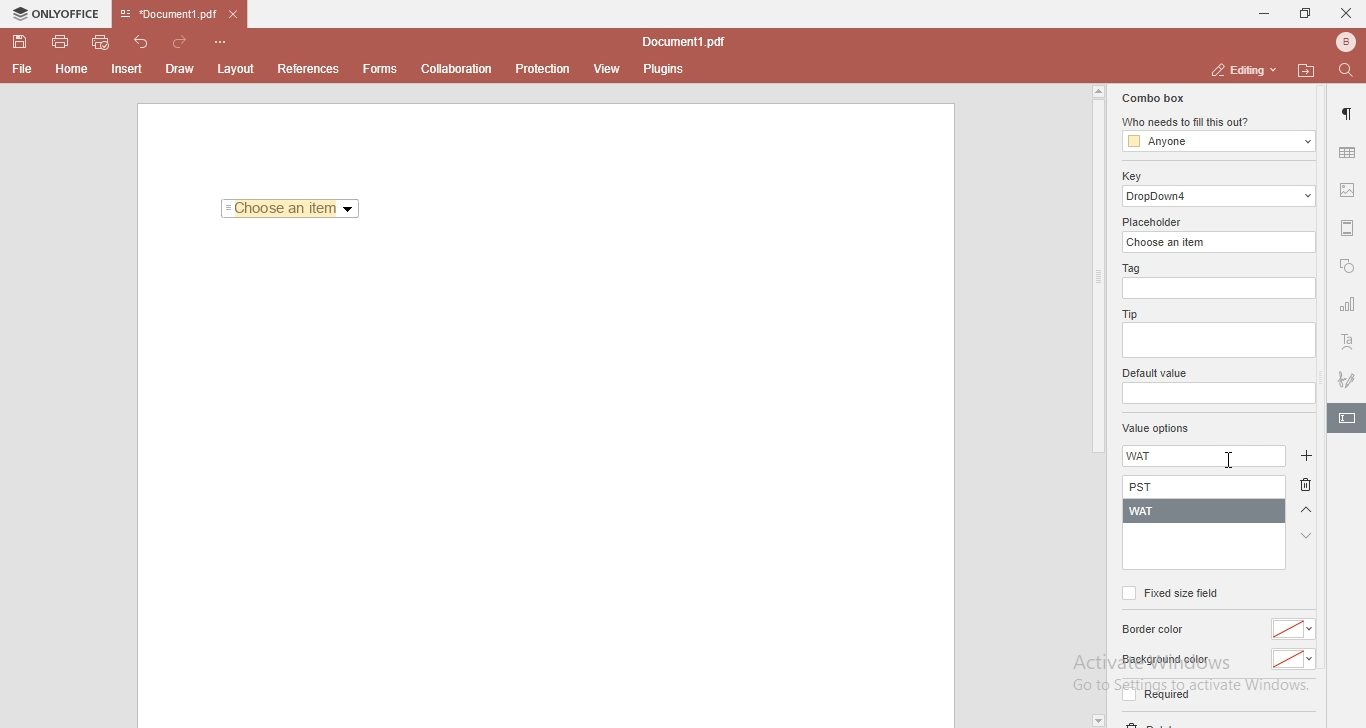 The image size is (1366, 728). Describe the element at coordinates (1205, 511) in the screenshot. I see `WAT added` at that location.